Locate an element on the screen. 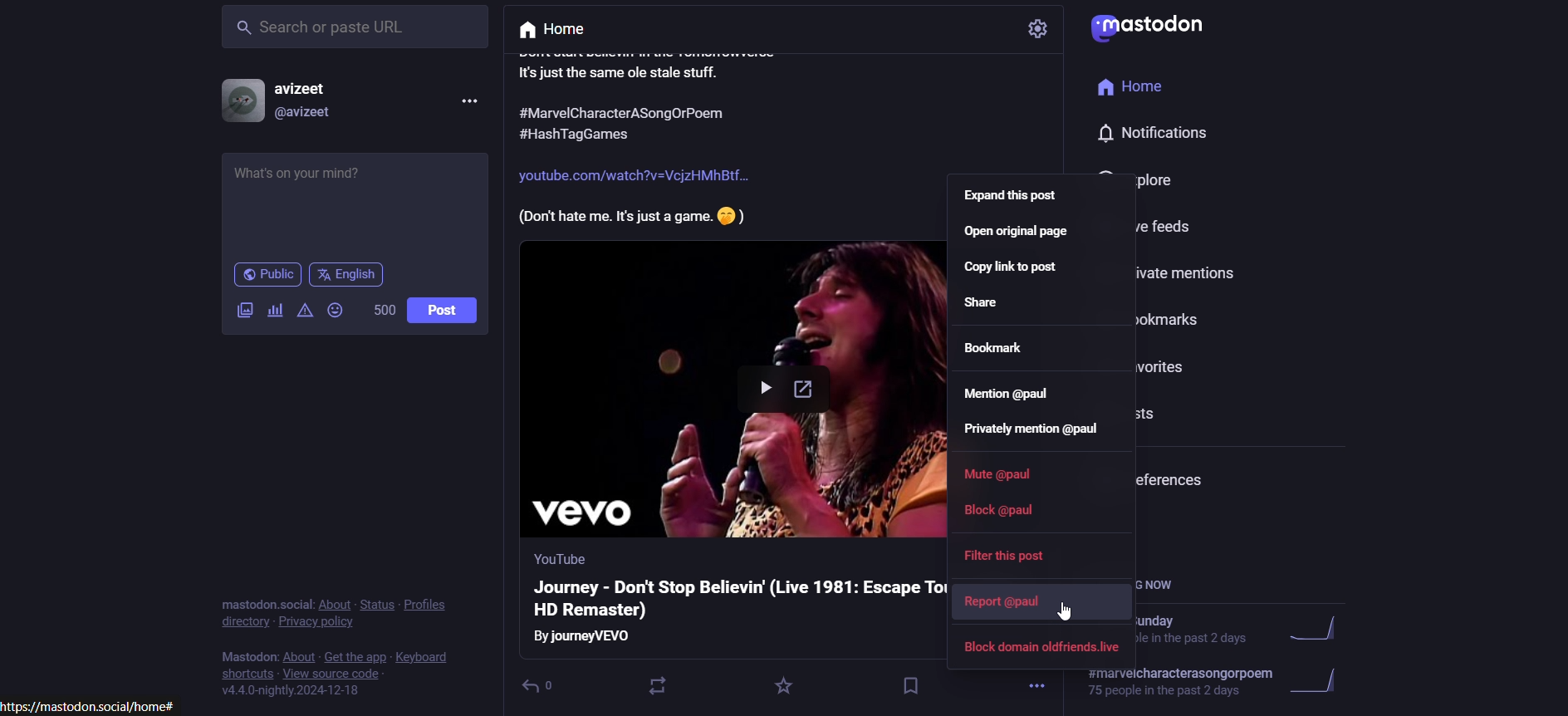 The width and height of the screenshot is (1568, 716). about is located at coordinates (296, 656).